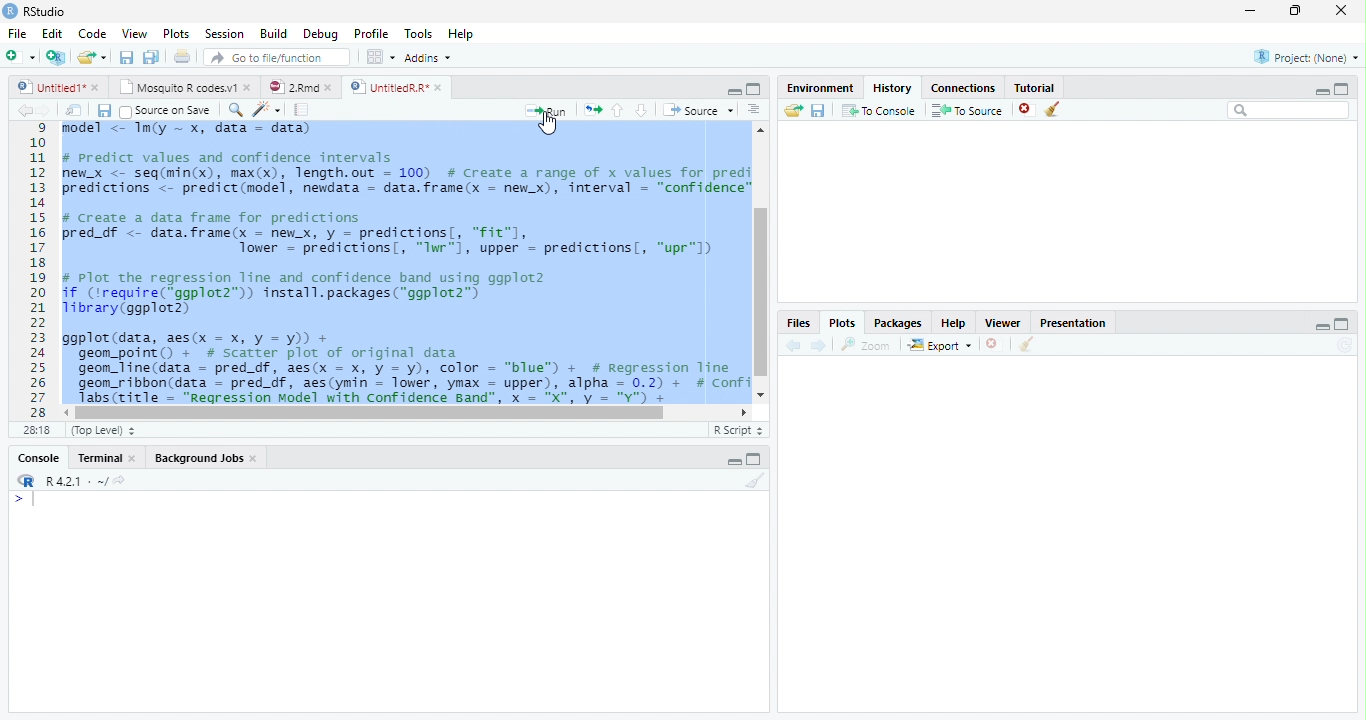 The height and width of the screenshot is (720, 1366). I want to click on Run, so click(544, 111).